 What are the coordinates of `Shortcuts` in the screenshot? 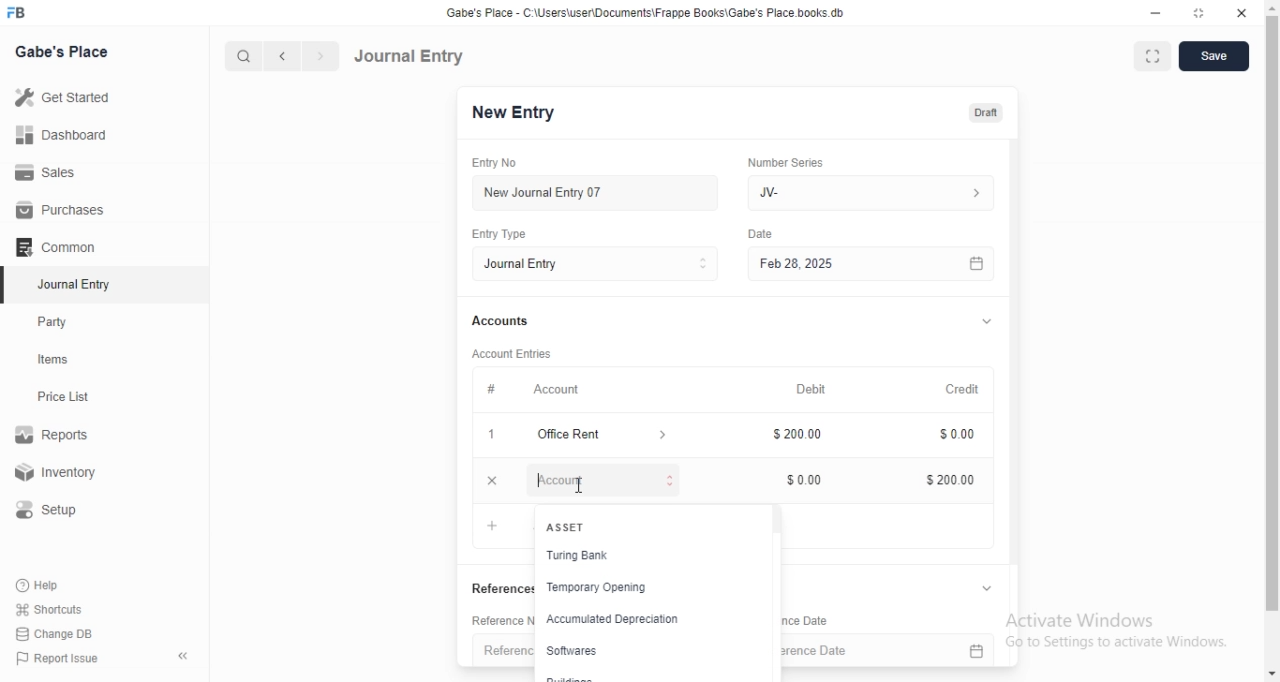 It's located at (49, 608).